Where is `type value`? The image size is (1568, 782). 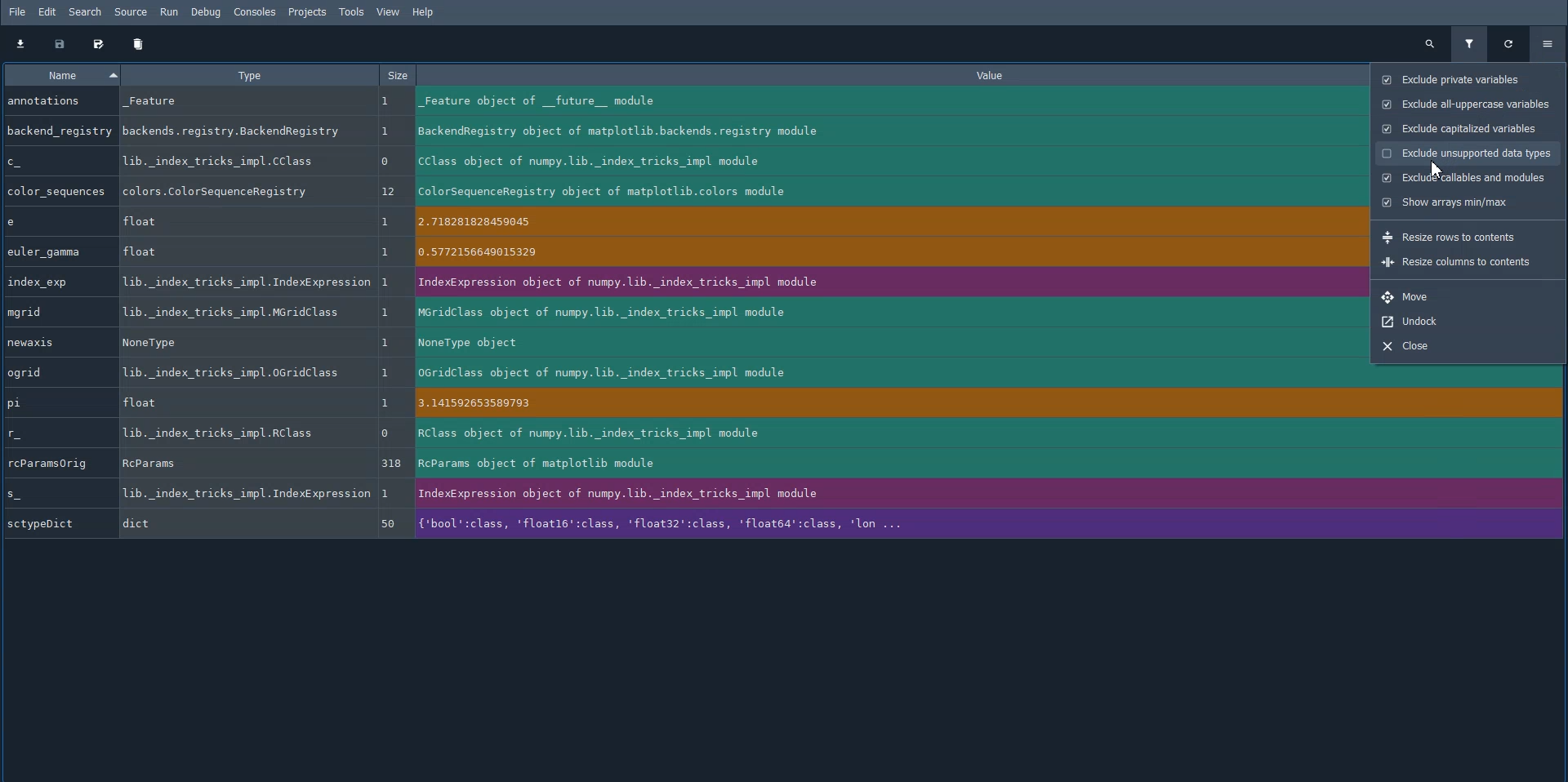 type value is located at coordinates (234, 105).